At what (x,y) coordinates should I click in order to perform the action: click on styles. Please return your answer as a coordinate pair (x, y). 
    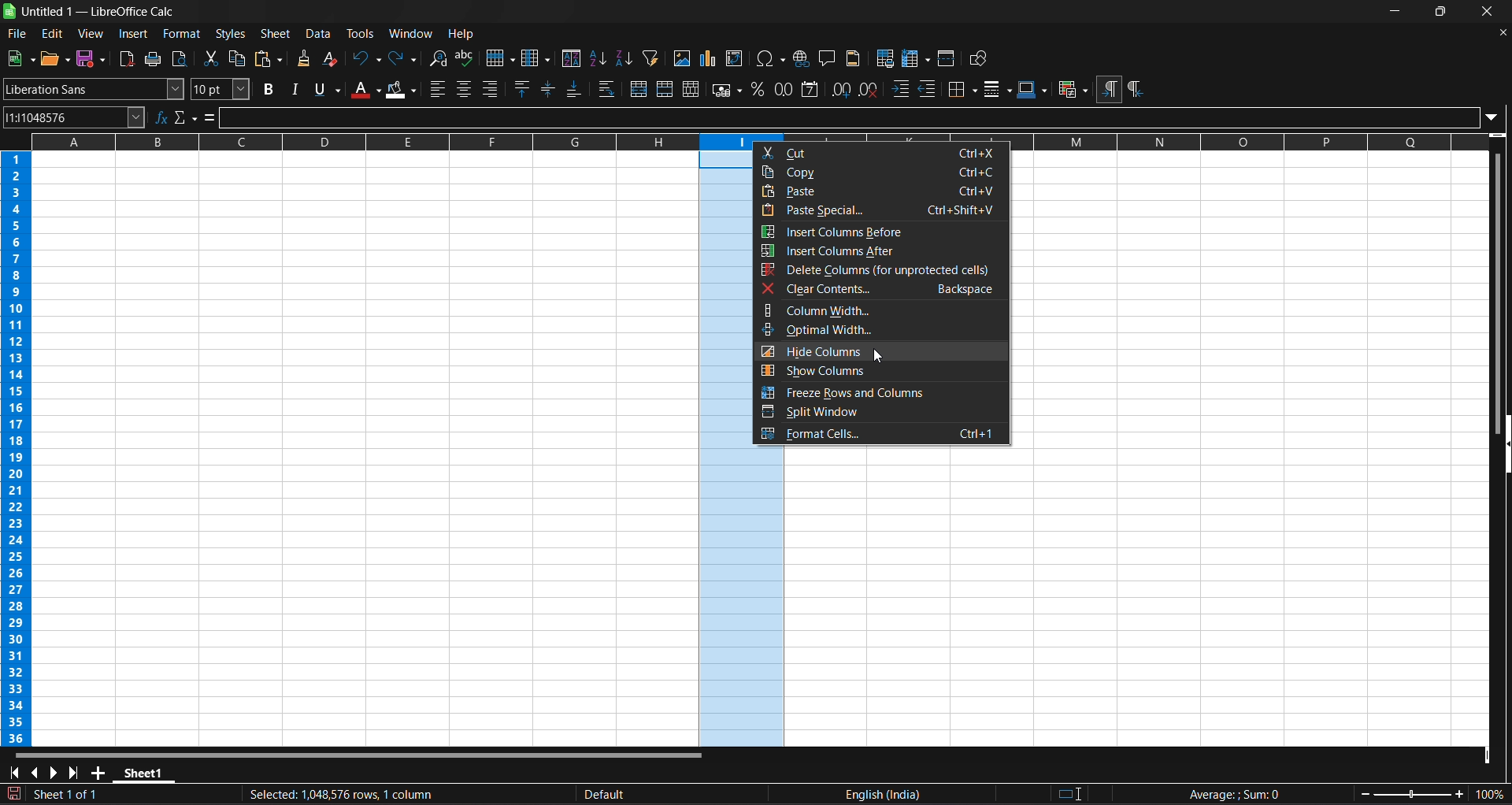
    Looking at the image, I should click on (230, 34).